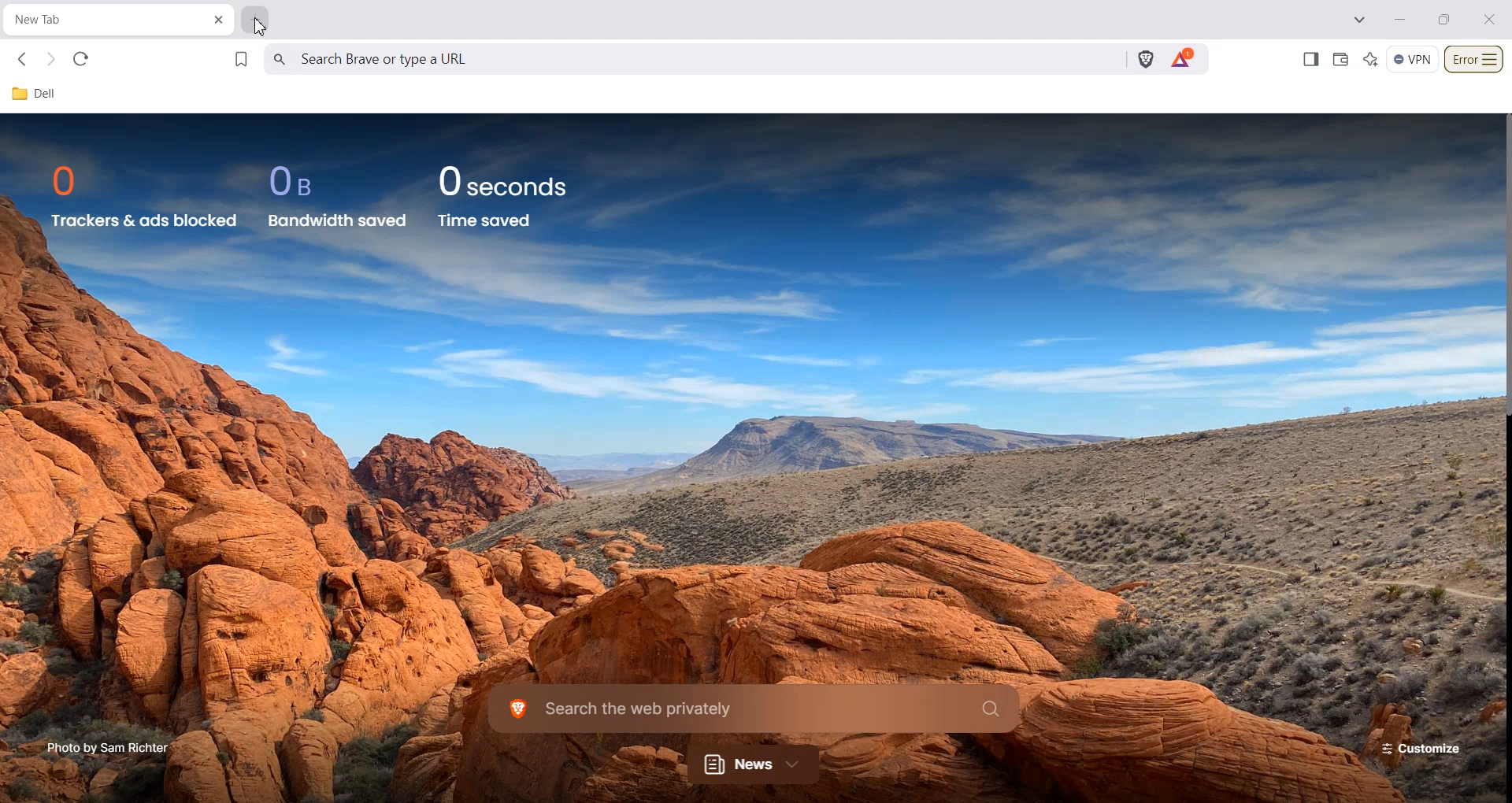 Image resolution: width=1512 pixels, height=803 pixels. I want to click on Wallet, so click(1340, 59).